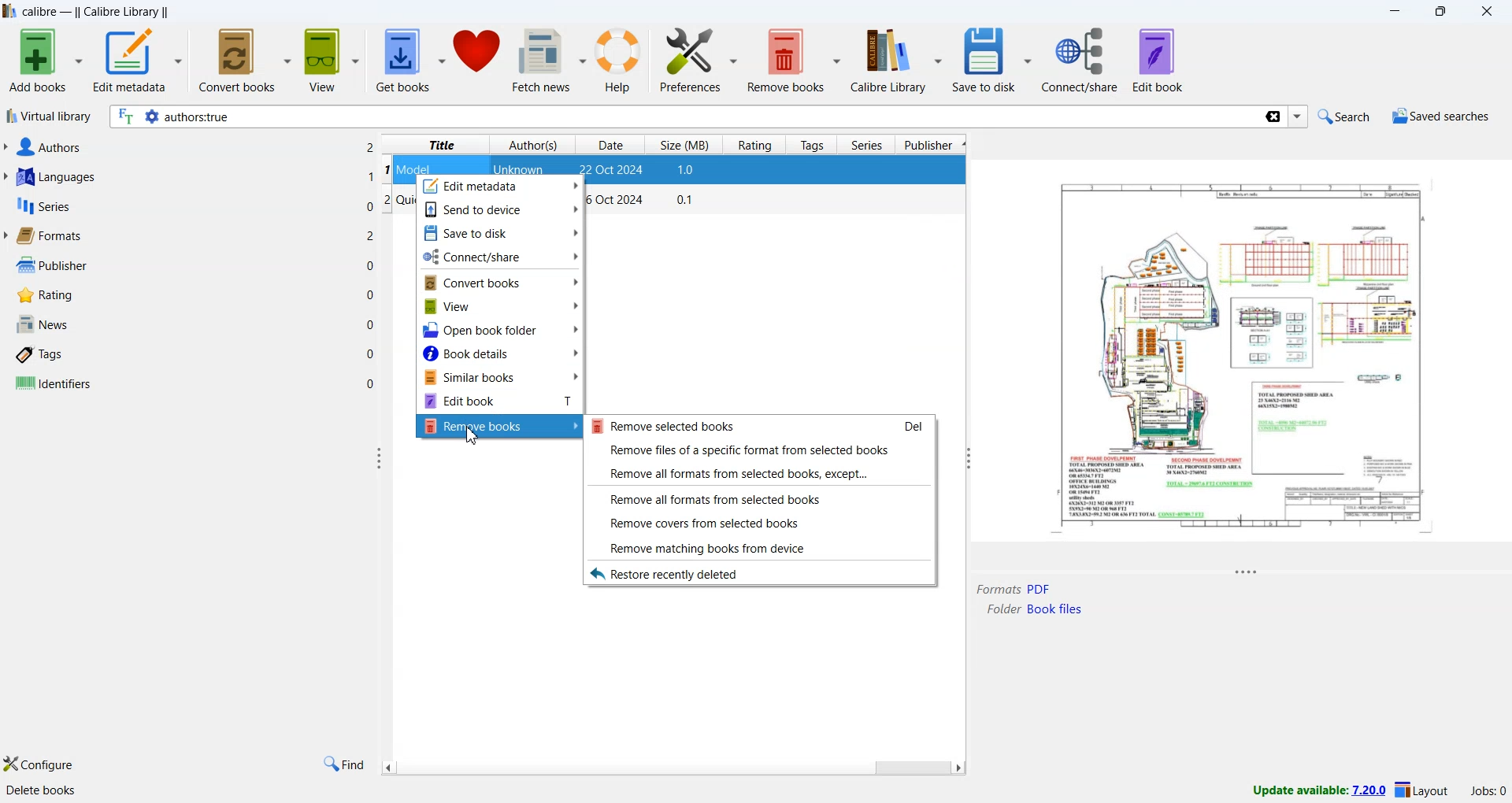 This screenshot has height=803, width=1512. I want to click on search bar, so click(684, 117).